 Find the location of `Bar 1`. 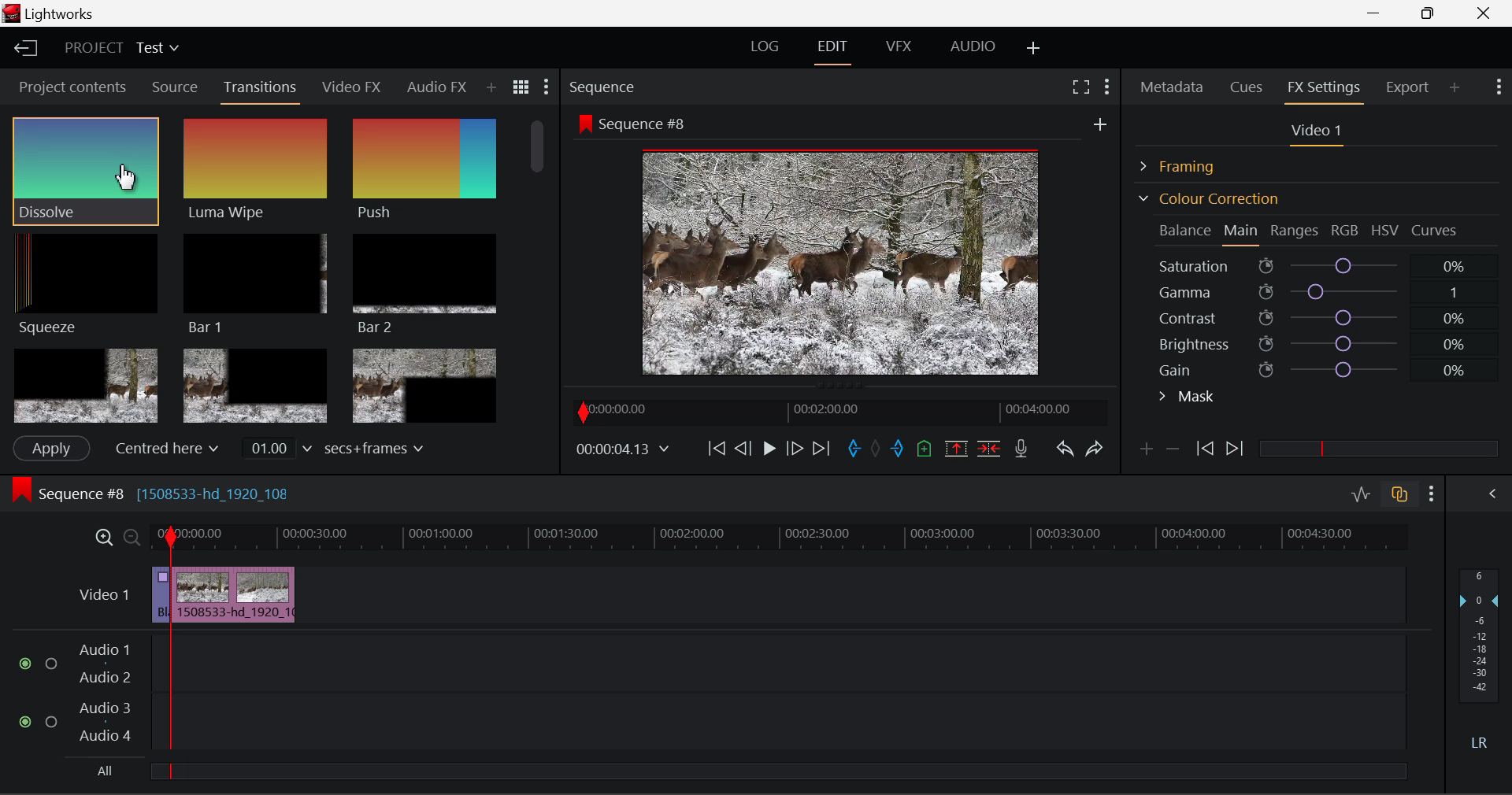

Bar 1 is located at coordinates (251, 284).